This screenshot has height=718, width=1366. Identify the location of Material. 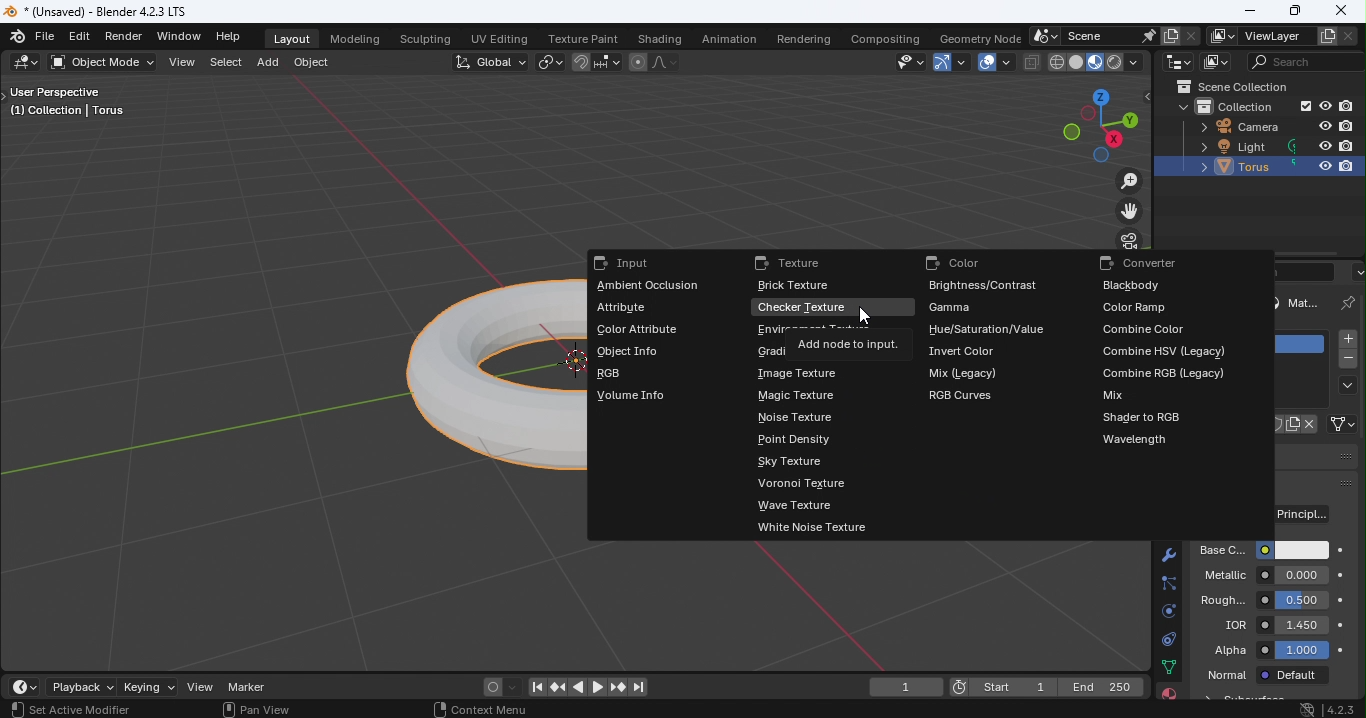
(1172, 690).